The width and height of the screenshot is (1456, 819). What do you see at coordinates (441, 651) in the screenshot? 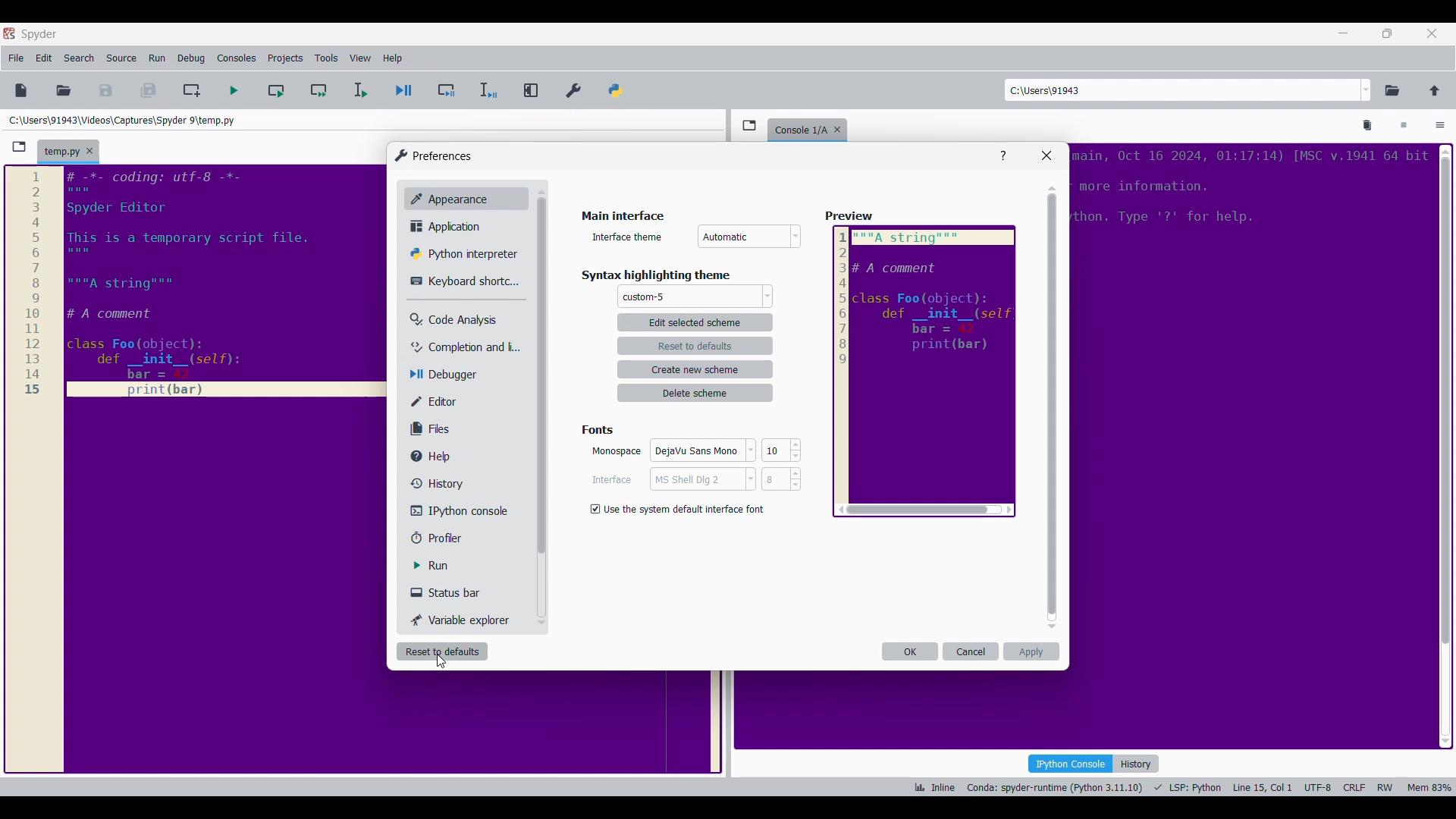
I see `Reset to defaults` at bounding box center [441, 651].